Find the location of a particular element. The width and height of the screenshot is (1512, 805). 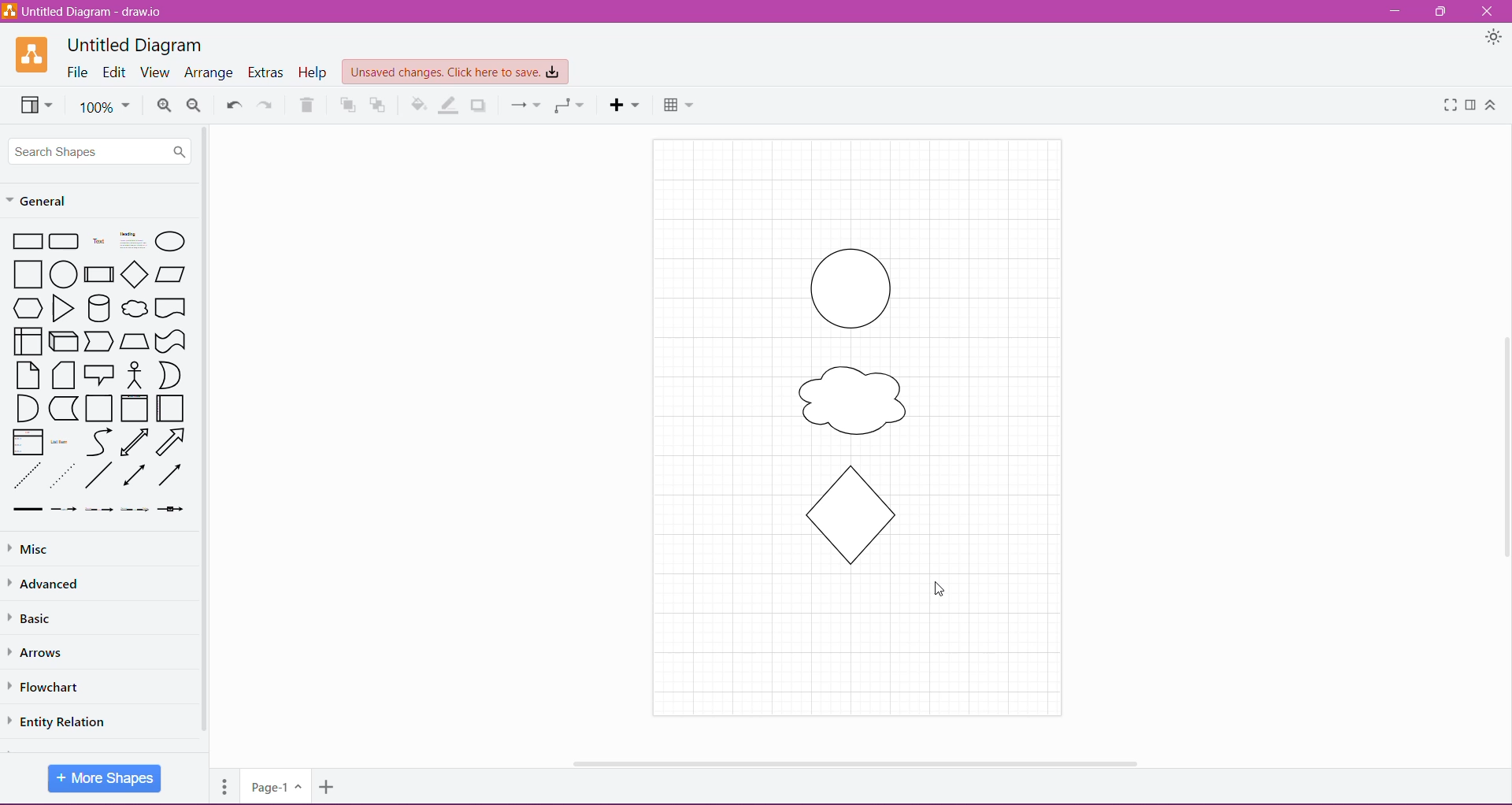

Vertical Scroll Bar is located at coordinates (205, 431).